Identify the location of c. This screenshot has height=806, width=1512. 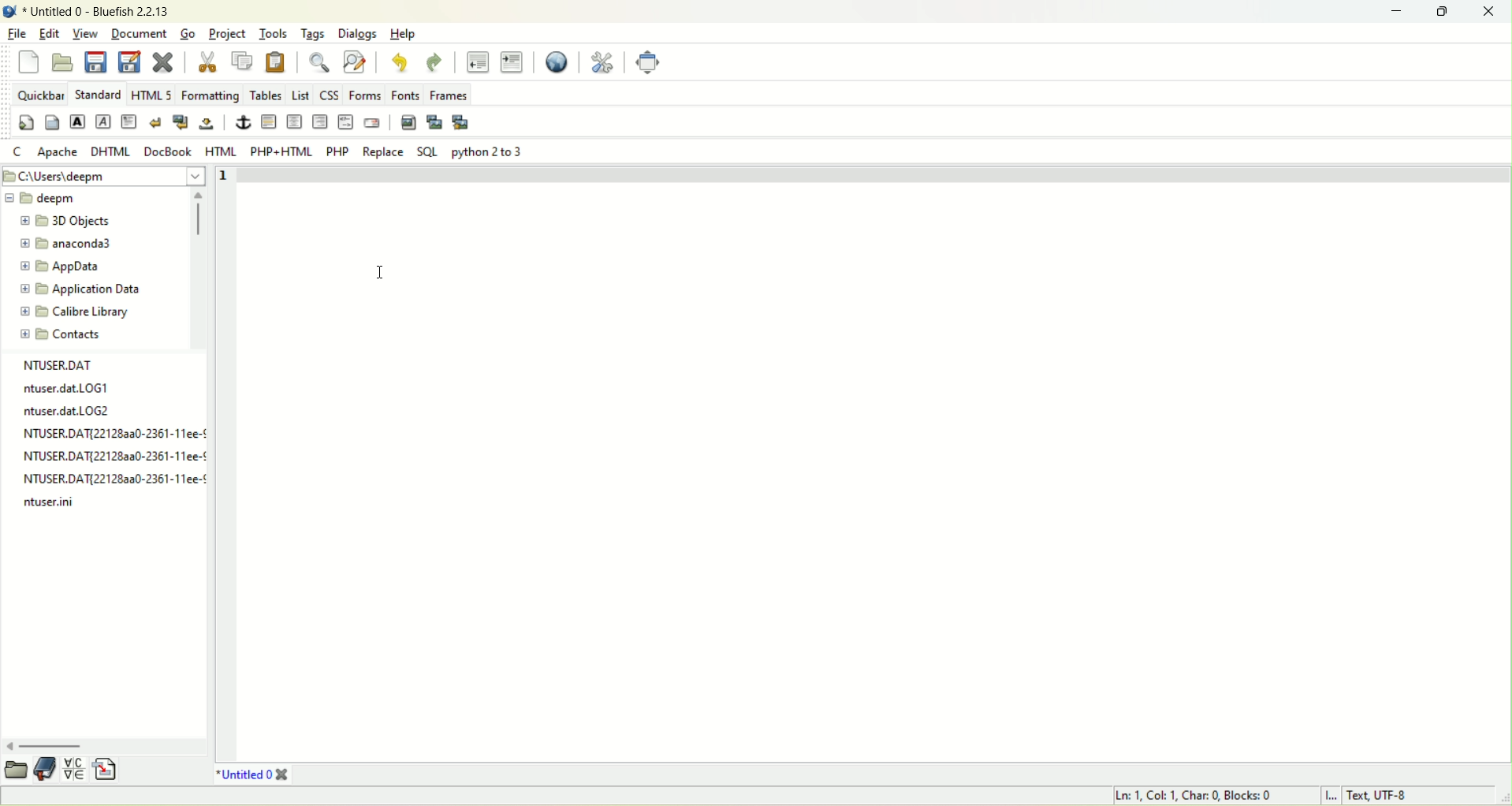
(19, 151).